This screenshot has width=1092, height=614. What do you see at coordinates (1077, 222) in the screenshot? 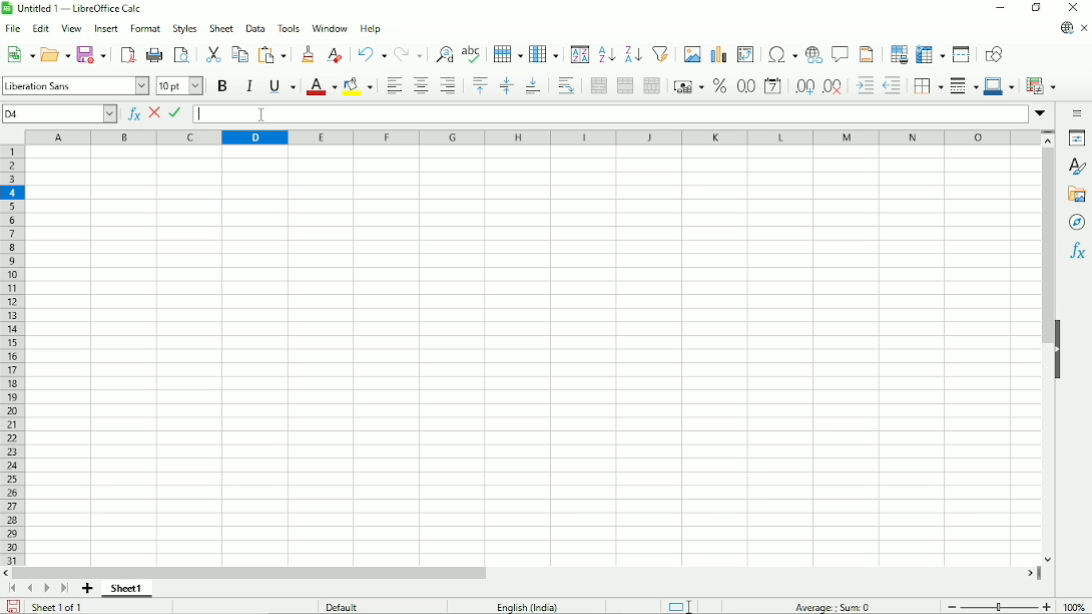
I see `Navigator` at bounding box center [1077, 222].